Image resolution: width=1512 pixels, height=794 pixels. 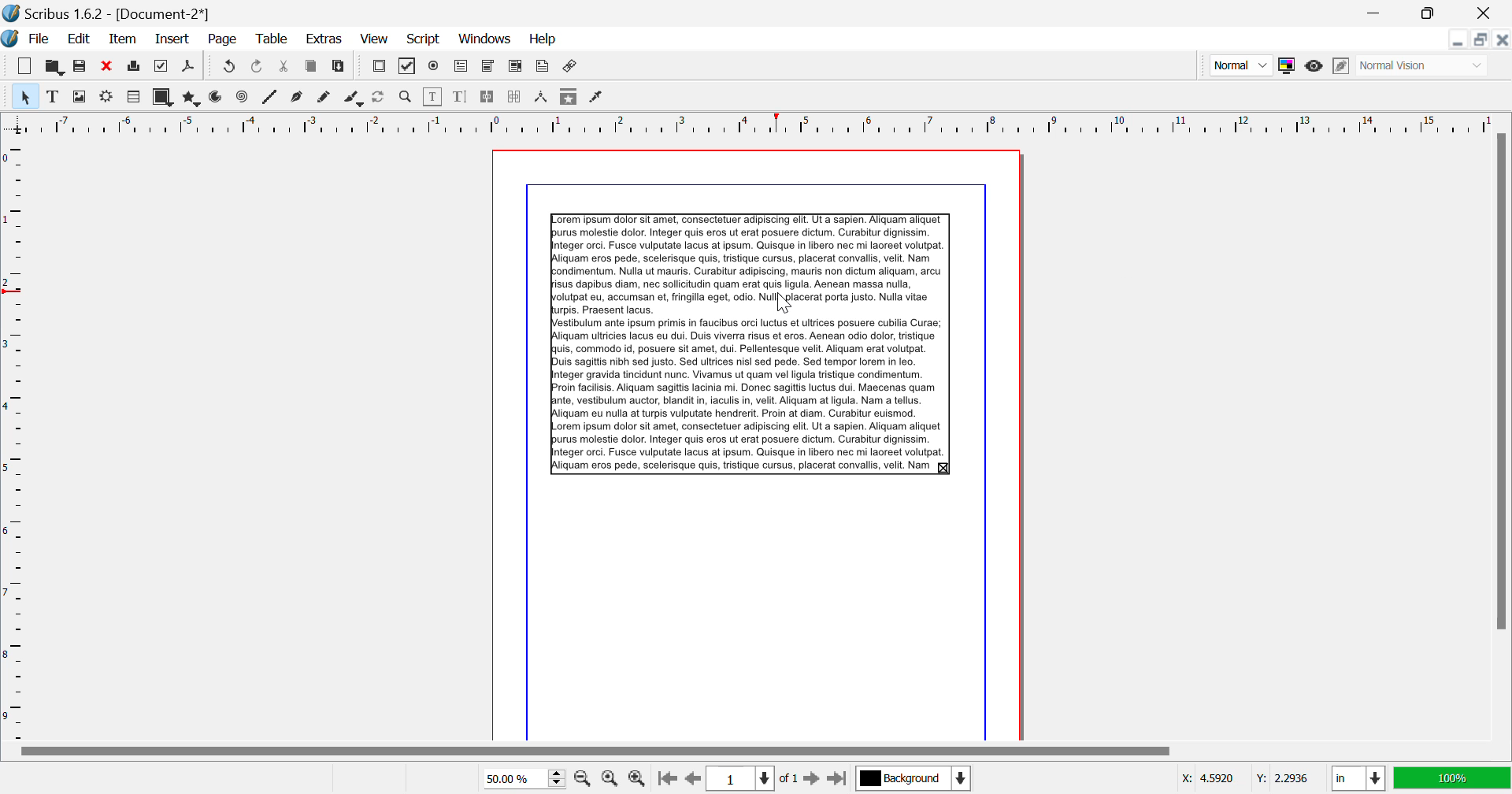 I want to click on Spiral, so click(x=242, y=98).